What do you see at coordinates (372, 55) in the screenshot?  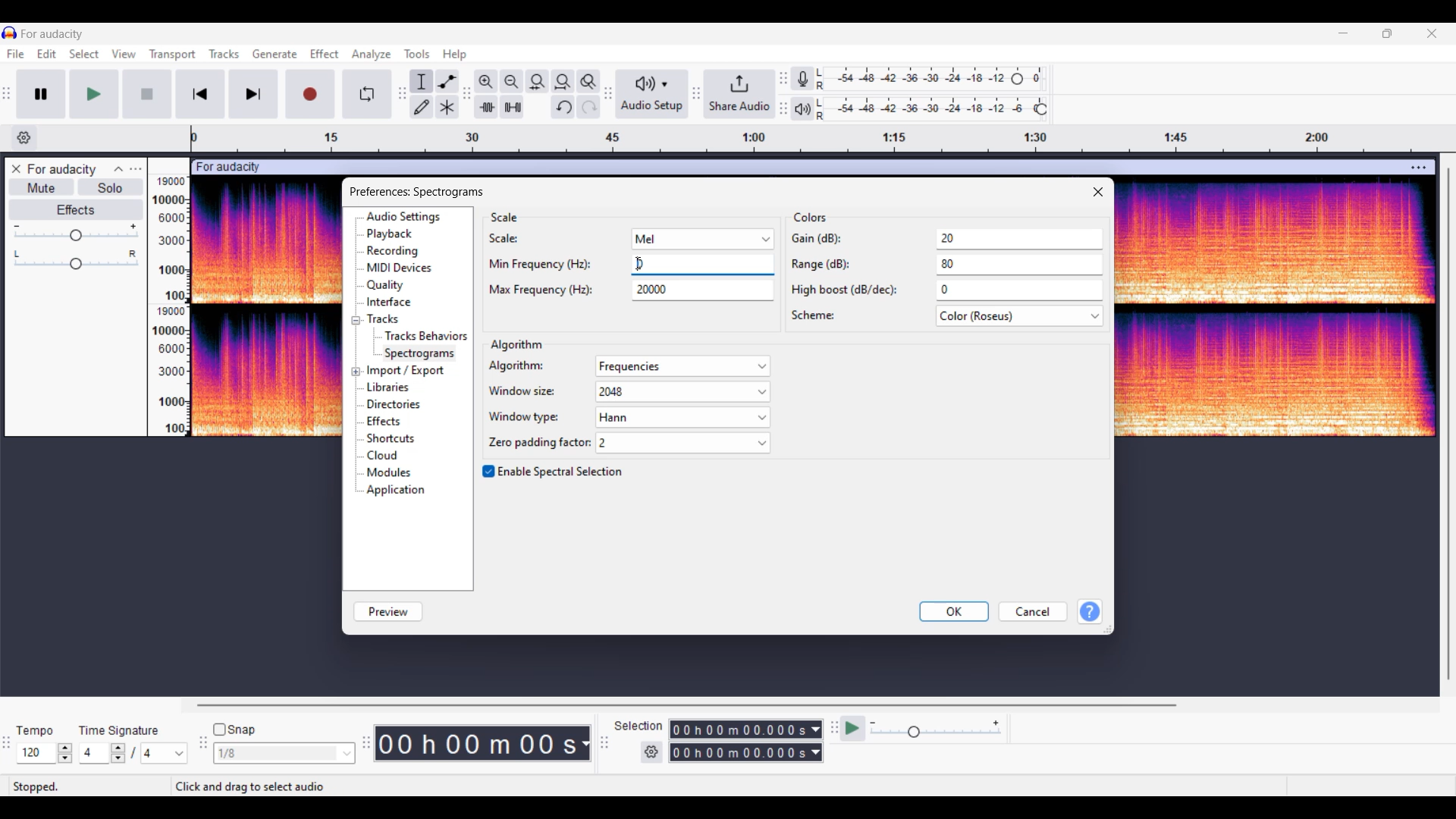 I see `Analyze menu` at bounding box center [372, 55].